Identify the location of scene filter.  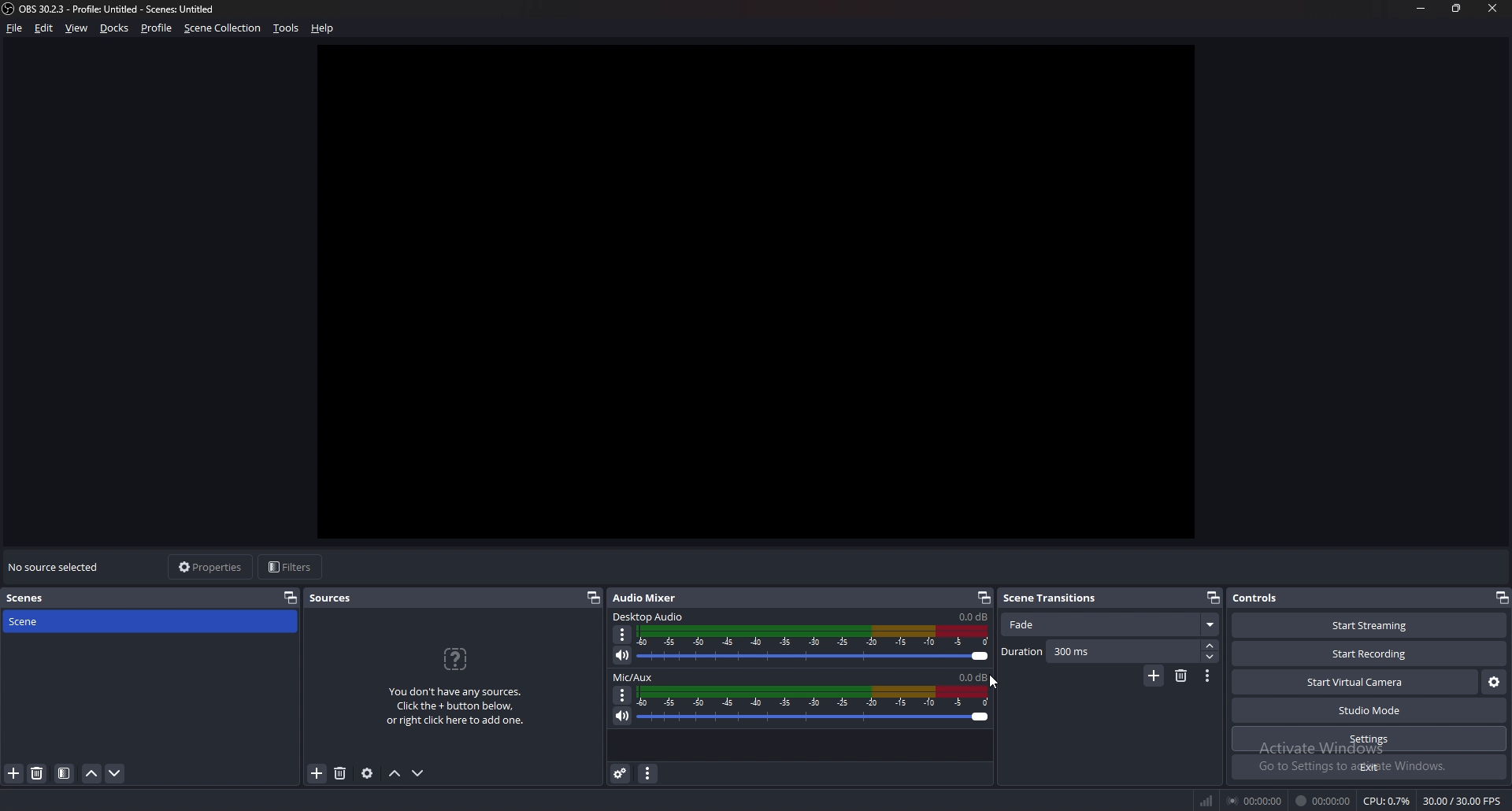
(63, 773).